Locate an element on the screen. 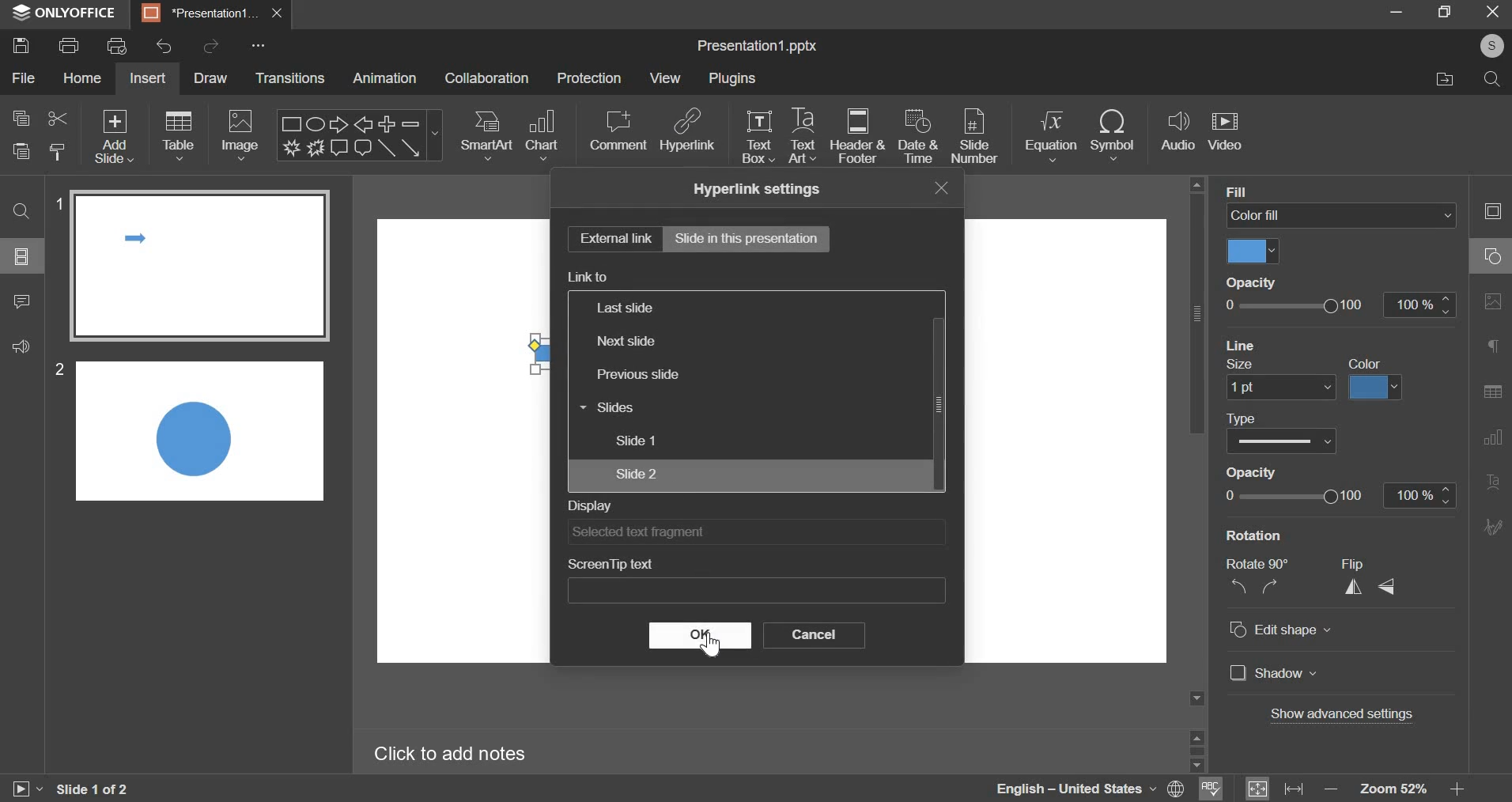 The height and width of the screenshot is (802, 1512). home is located at coordinates (85, 78).